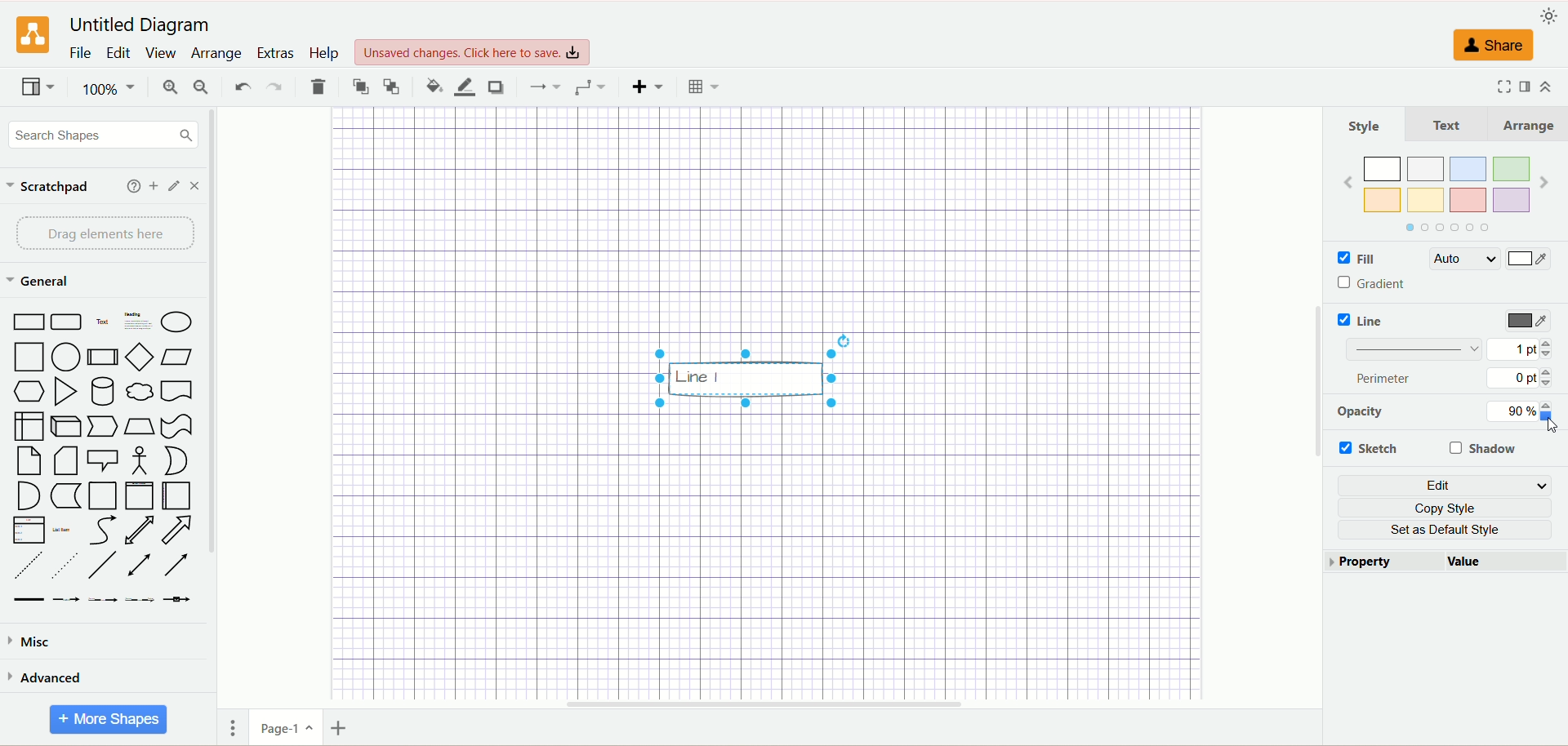 The image size is (1568, 746). What do you see at coordinates (1446, 195) in the screenshot?
I see `Colors` at bounding box center [1446, 195].